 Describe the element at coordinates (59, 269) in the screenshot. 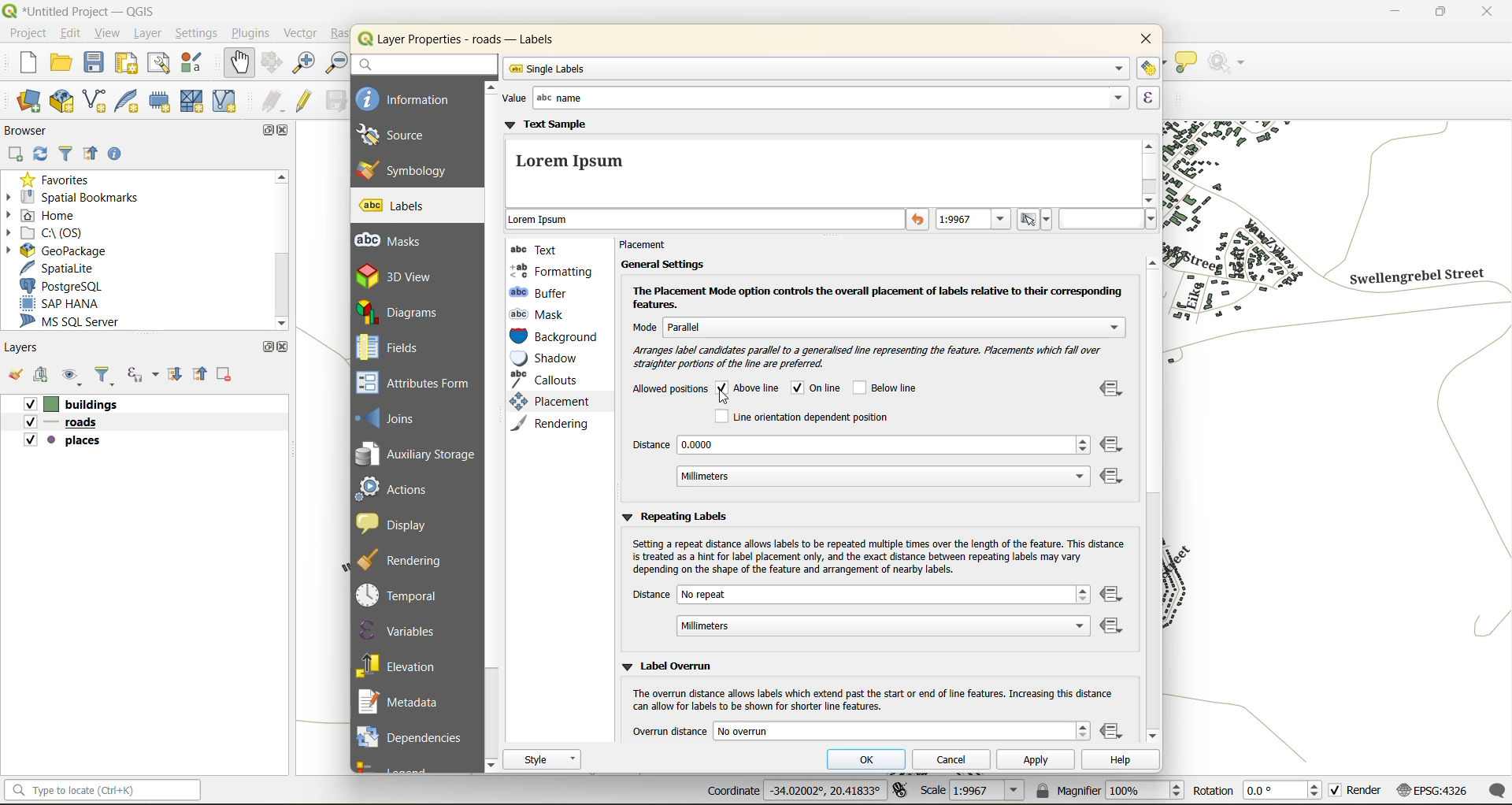

I see `spatialite` at that location.